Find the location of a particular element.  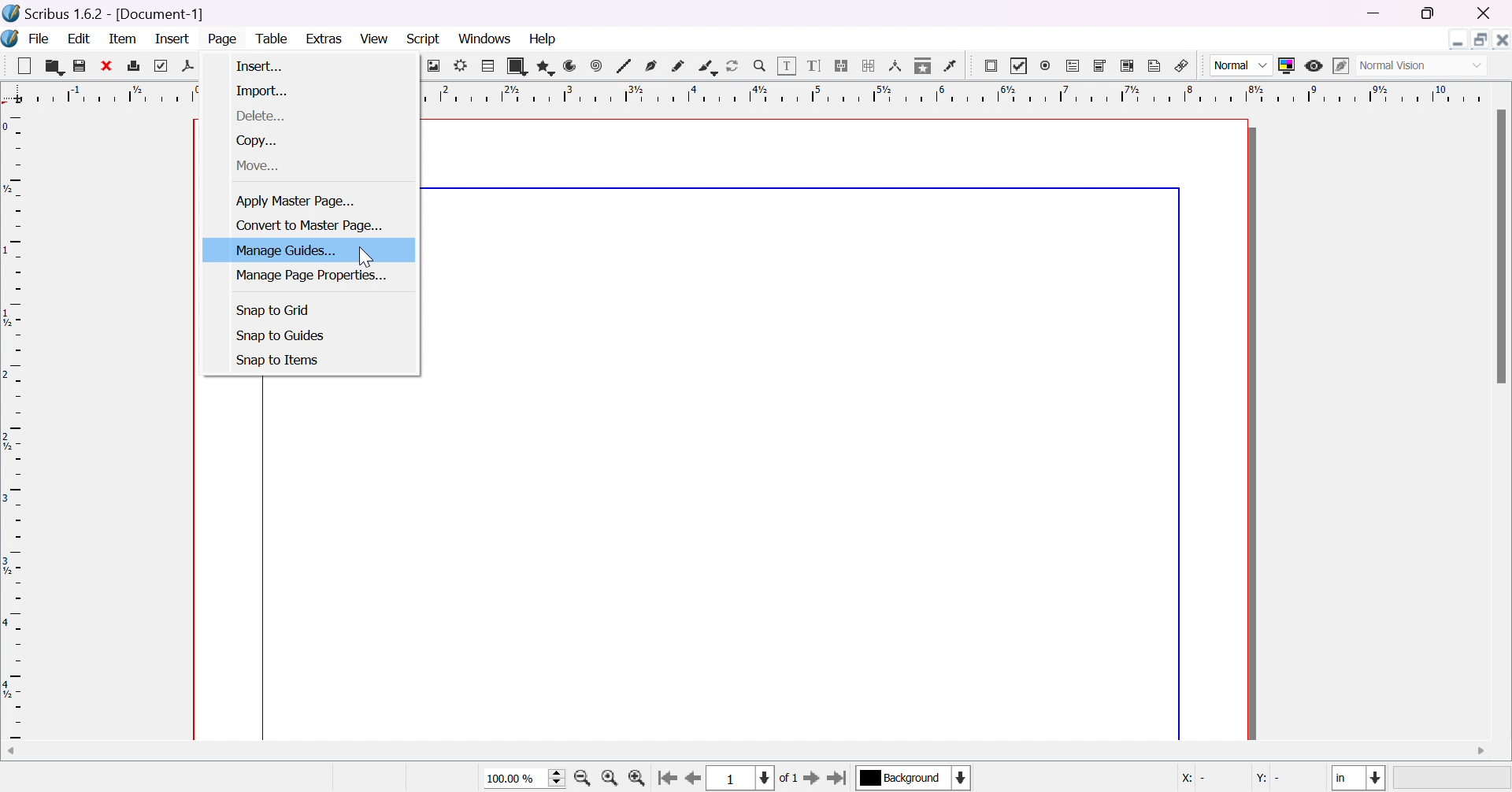

copy is located at coordinates (259, 140).